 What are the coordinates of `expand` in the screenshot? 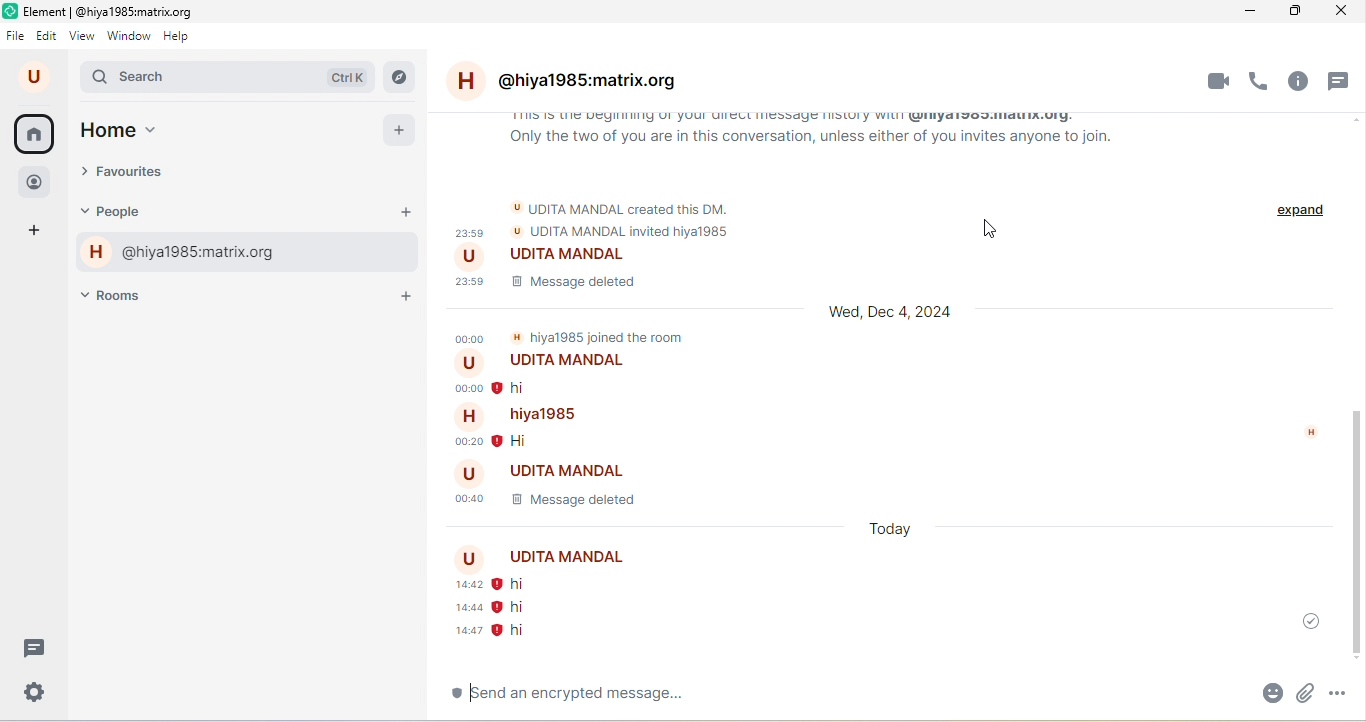 It's located at (1296, 238).